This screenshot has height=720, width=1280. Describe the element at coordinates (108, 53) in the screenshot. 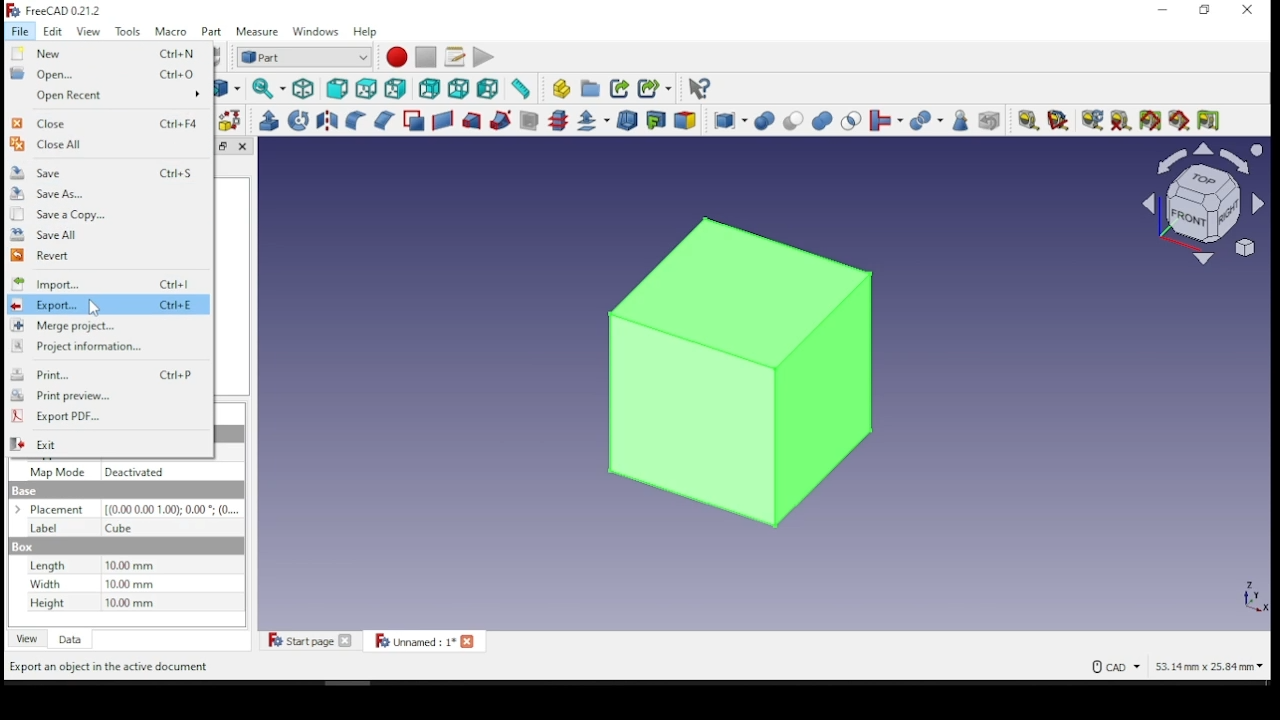

I see `new` at that location.